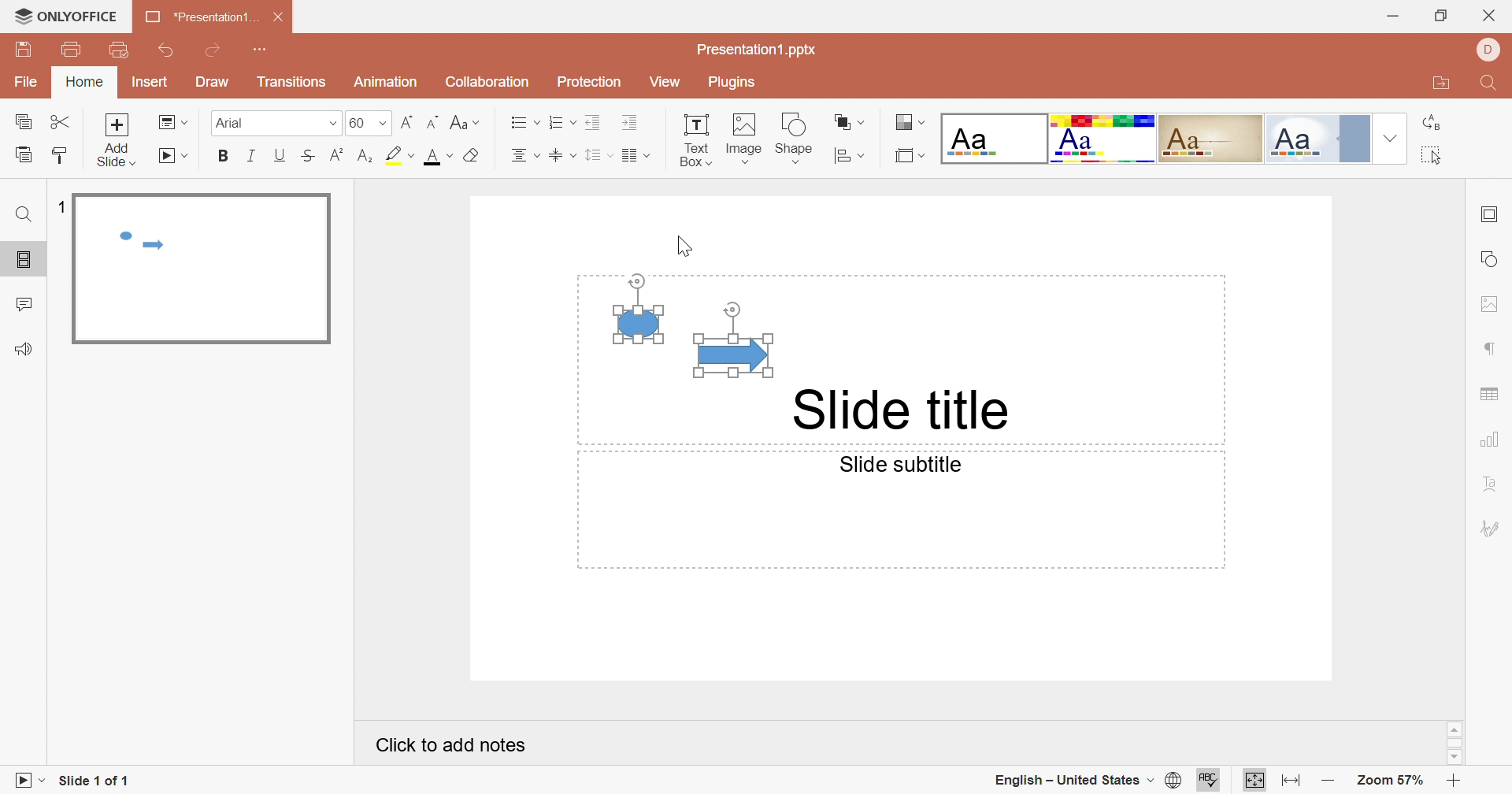 The height and width of the screenshot is (794, 1512). Describe the element at coordinates (1490, 302) in the screenshot. I see `image settings` at that location.